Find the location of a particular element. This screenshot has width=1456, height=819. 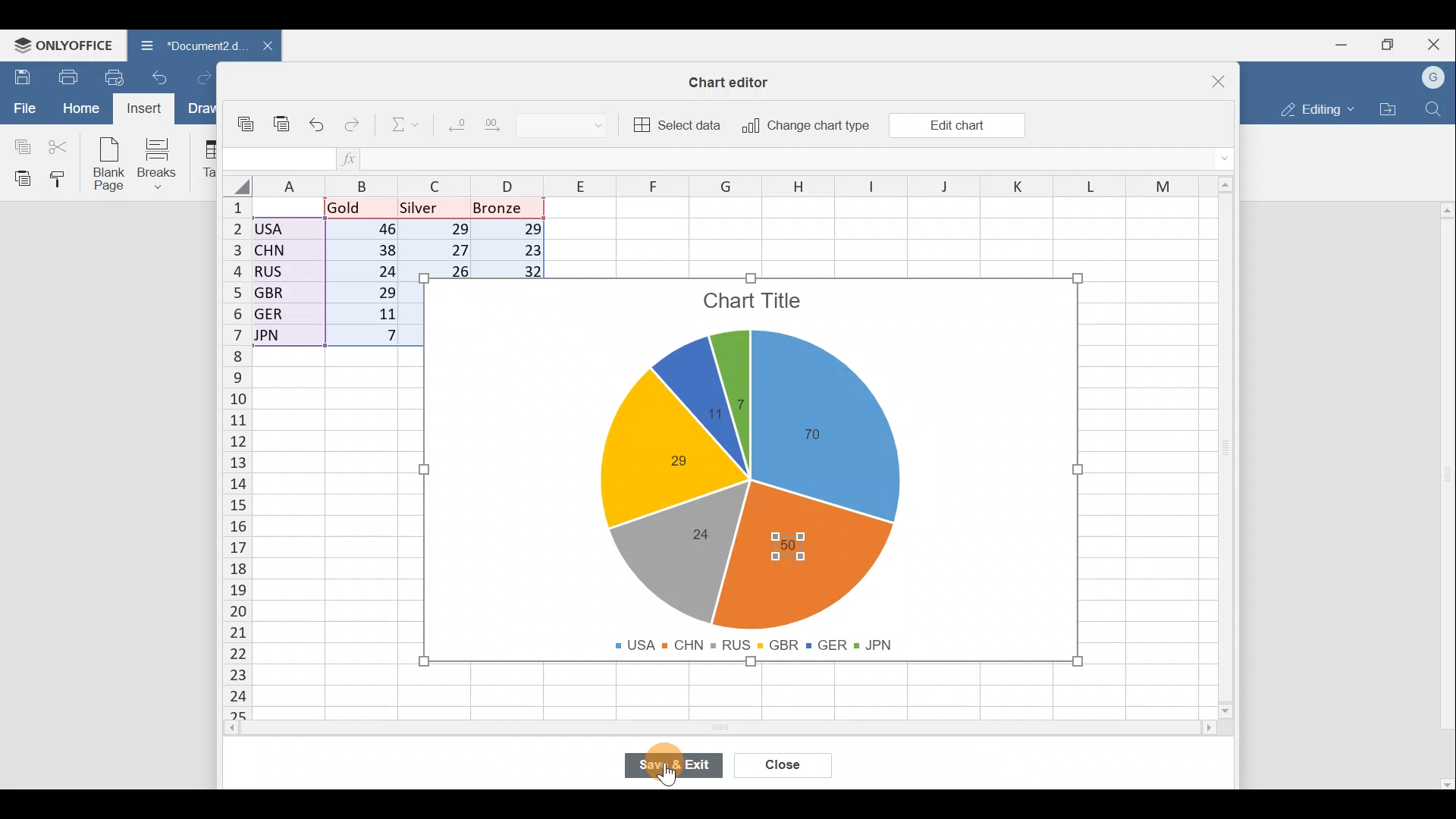

Undo is located at coordinates (164, 82).